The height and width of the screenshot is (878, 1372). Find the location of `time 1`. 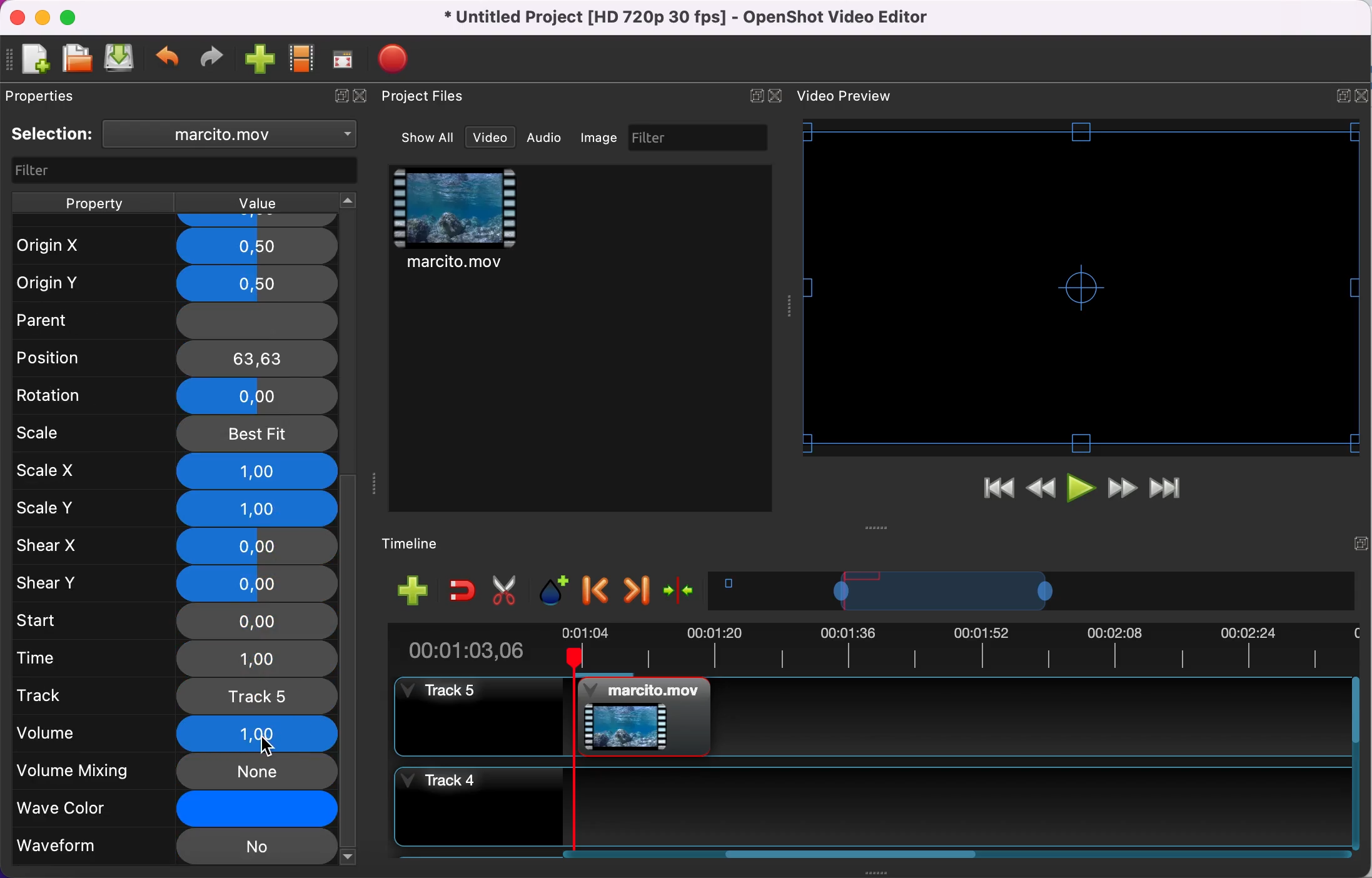

time 1 is located at coordinates (178, 660).